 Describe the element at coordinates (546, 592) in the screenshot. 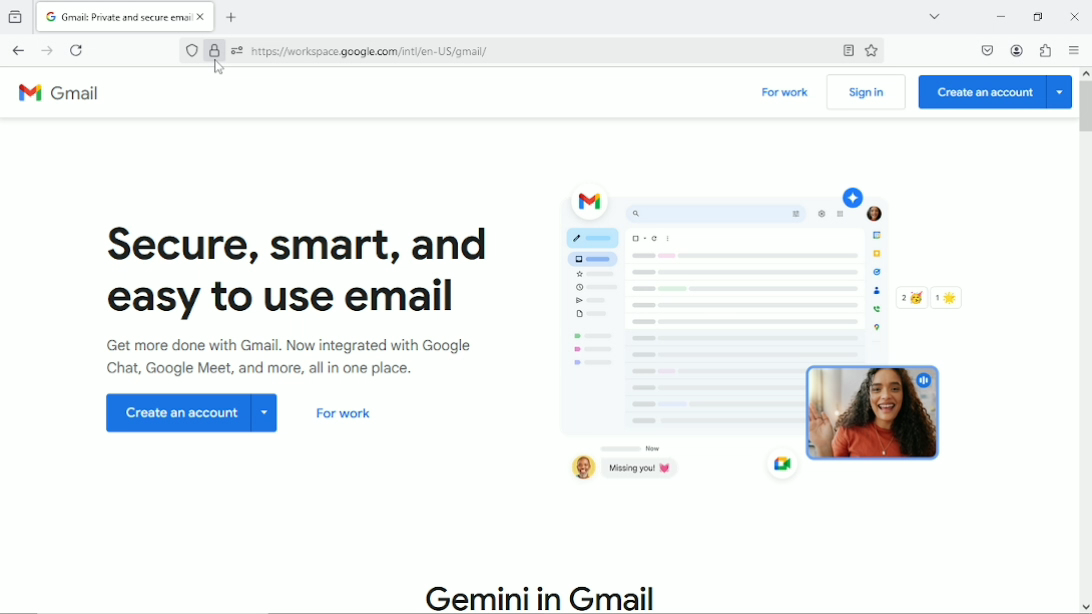

I see `Gemini in Gmail` at that location.